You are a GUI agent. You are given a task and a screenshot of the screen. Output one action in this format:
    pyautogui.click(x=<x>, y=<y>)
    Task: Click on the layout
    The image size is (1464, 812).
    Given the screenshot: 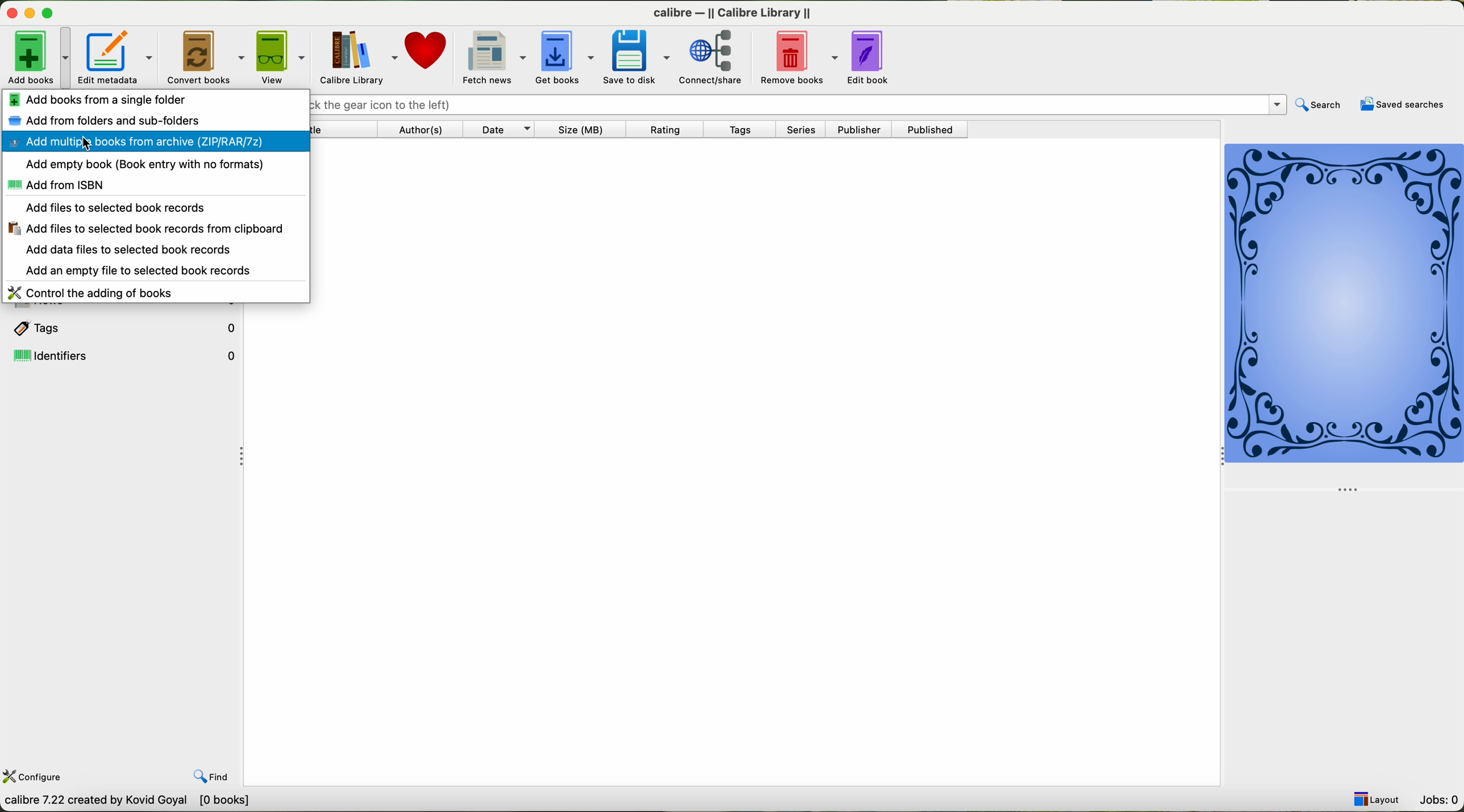 What is the action you would take?
    pyautogui.click(x=1377, y=799)
    